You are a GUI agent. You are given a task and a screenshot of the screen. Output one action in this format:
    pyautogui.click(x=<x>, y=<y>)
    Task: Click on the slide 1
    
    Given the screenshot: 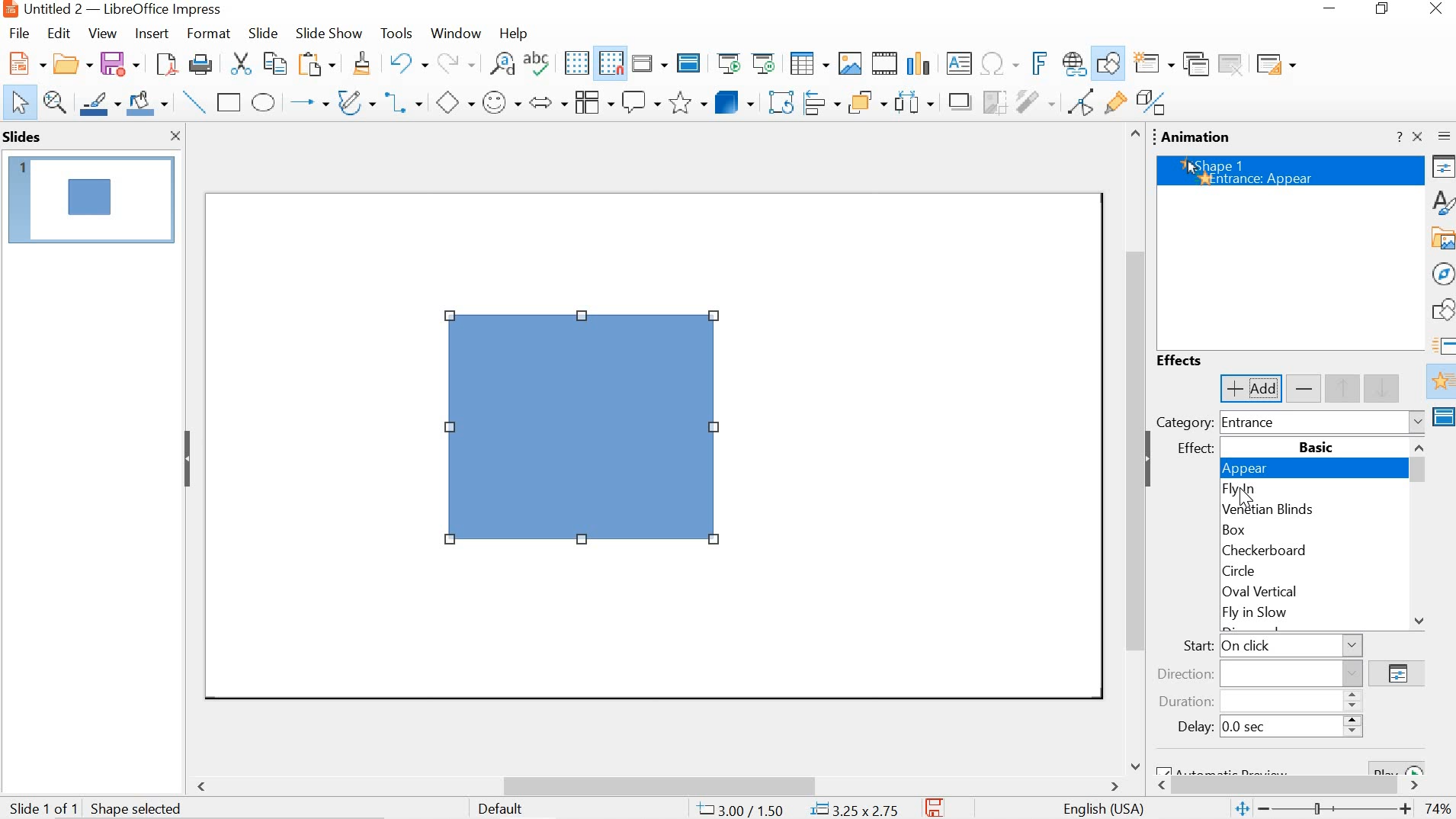 What is the action you would take?
    pyautogui.click(x=91, y=199)
    